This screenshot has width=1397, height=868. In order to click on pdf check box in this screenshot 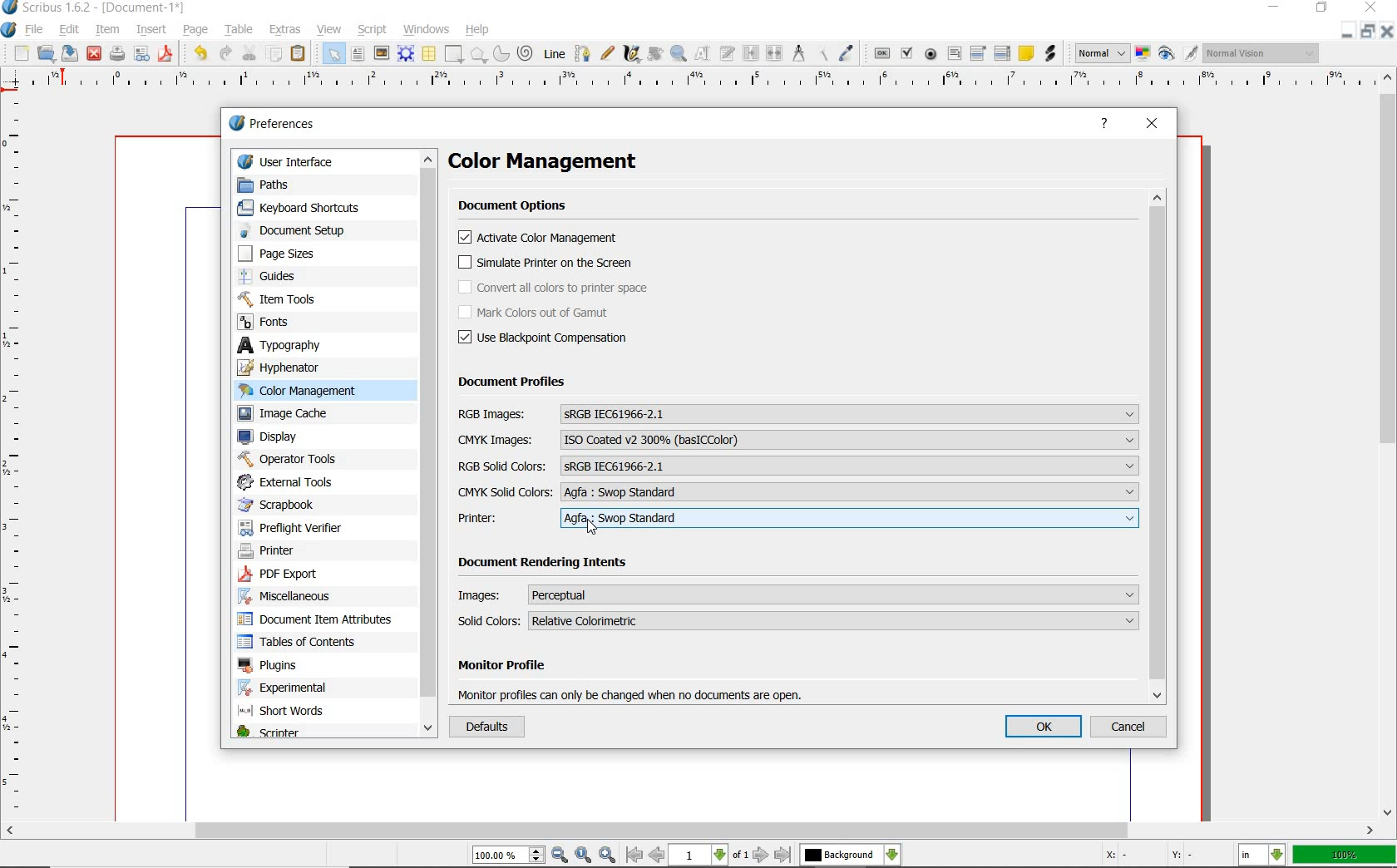, I will do `click(906, 53)`.